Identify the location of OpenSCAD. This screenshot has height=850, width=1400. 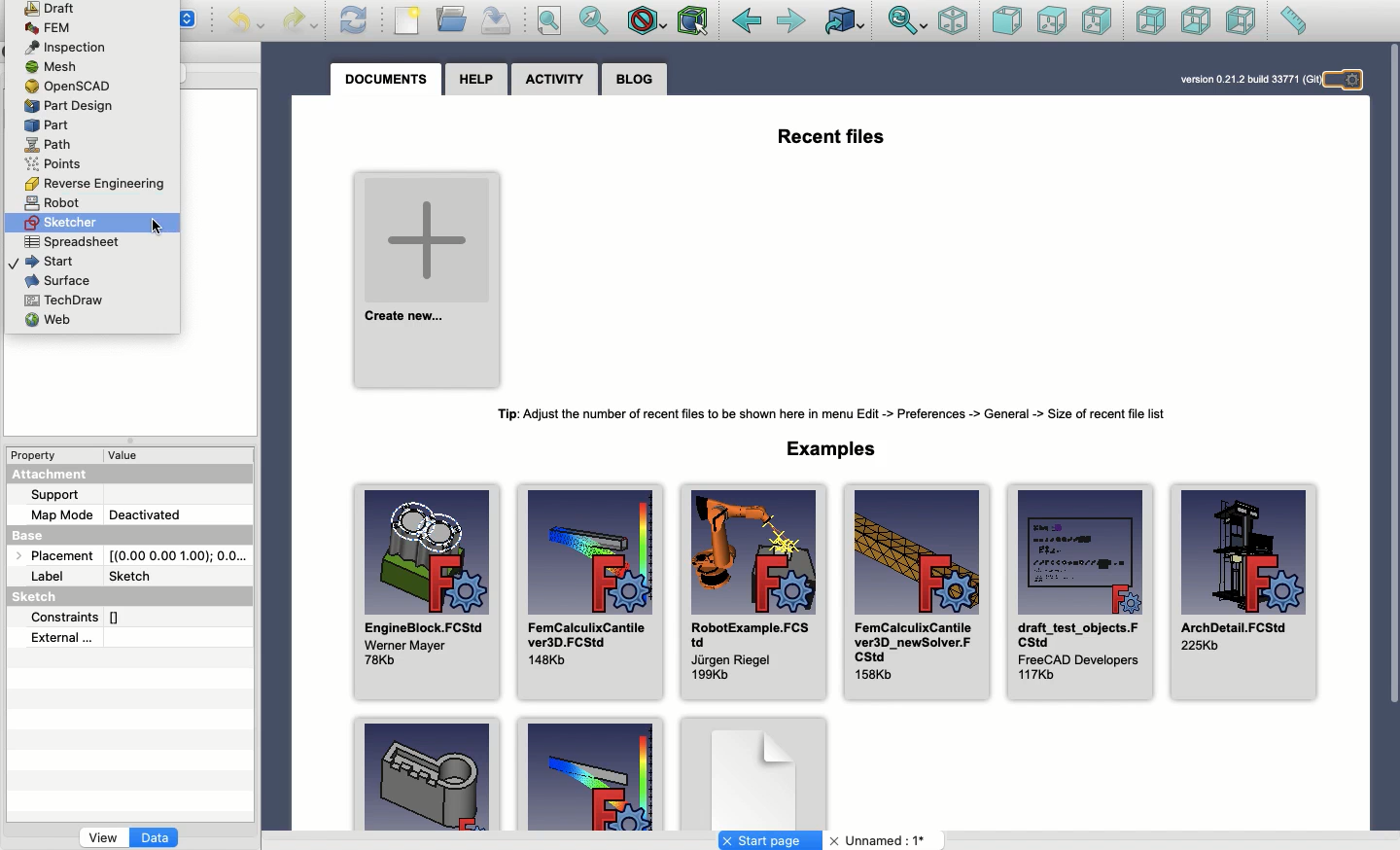
(72, 87).